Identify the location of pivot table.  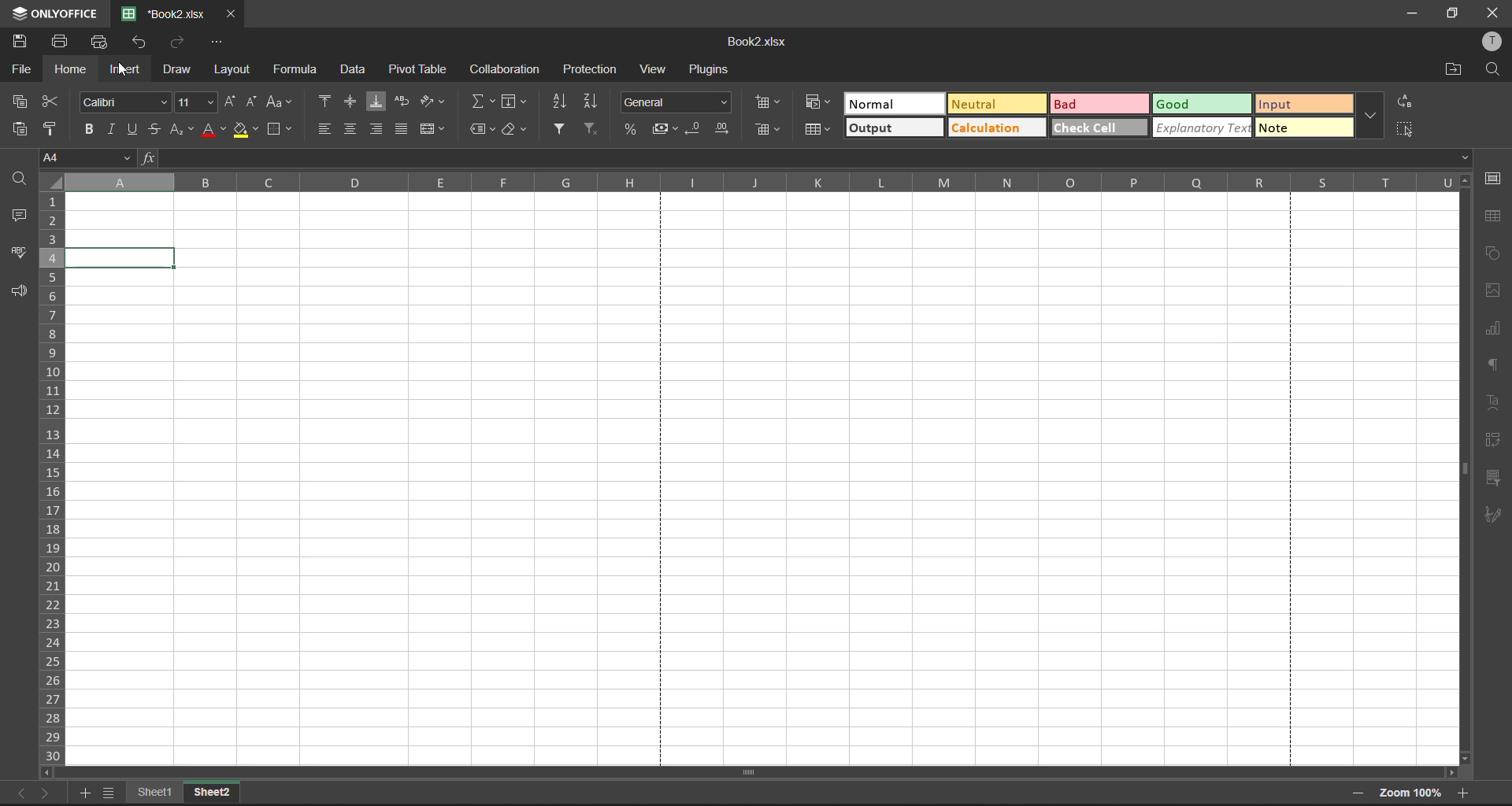
(418, 70).